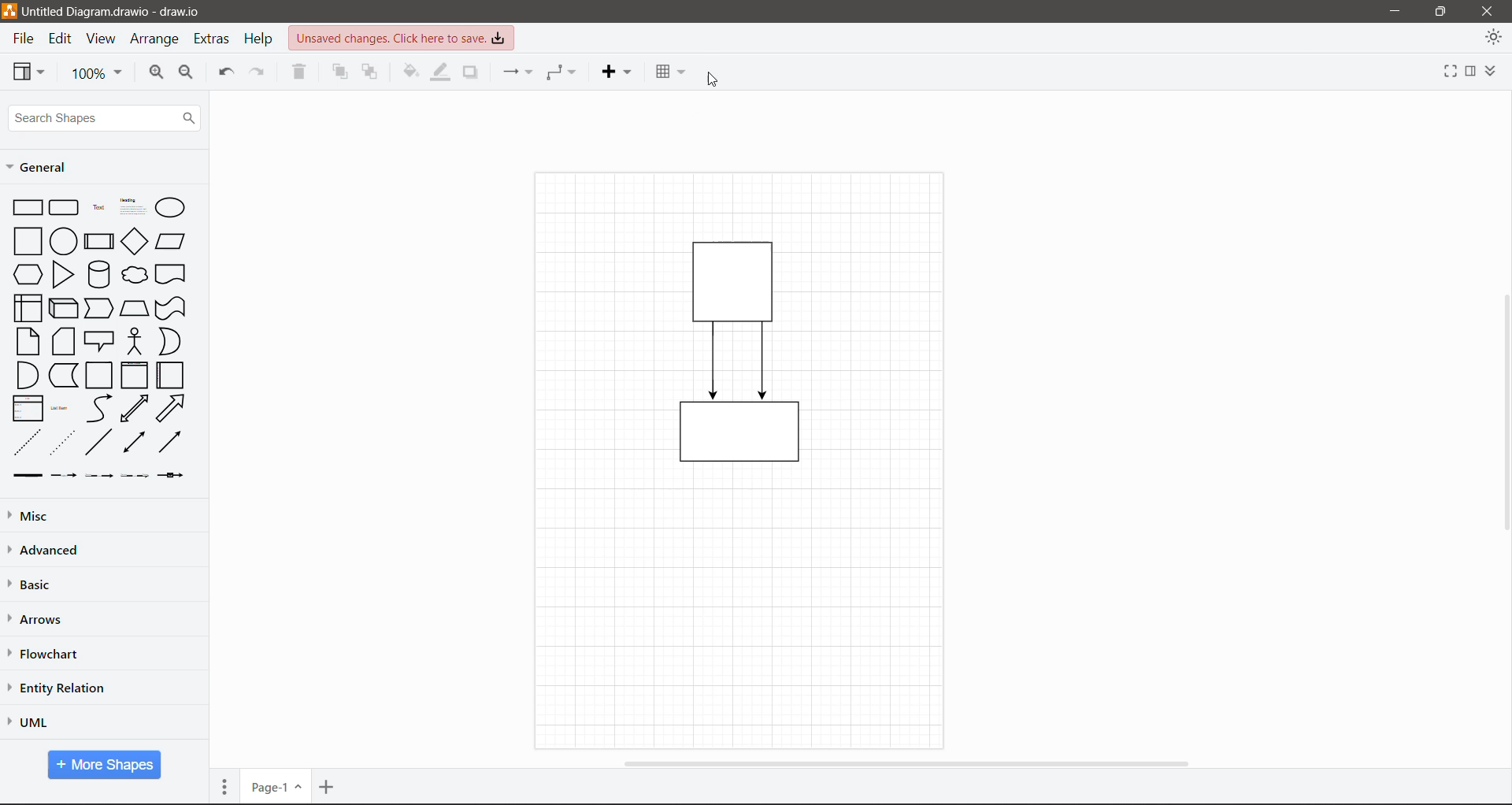 Image resolution: width=1512 pixels, height=805 pixels. What do you see at coordinates (62, 39) in the screenshot?
I see `Edit` at bounding box center [62, 39].